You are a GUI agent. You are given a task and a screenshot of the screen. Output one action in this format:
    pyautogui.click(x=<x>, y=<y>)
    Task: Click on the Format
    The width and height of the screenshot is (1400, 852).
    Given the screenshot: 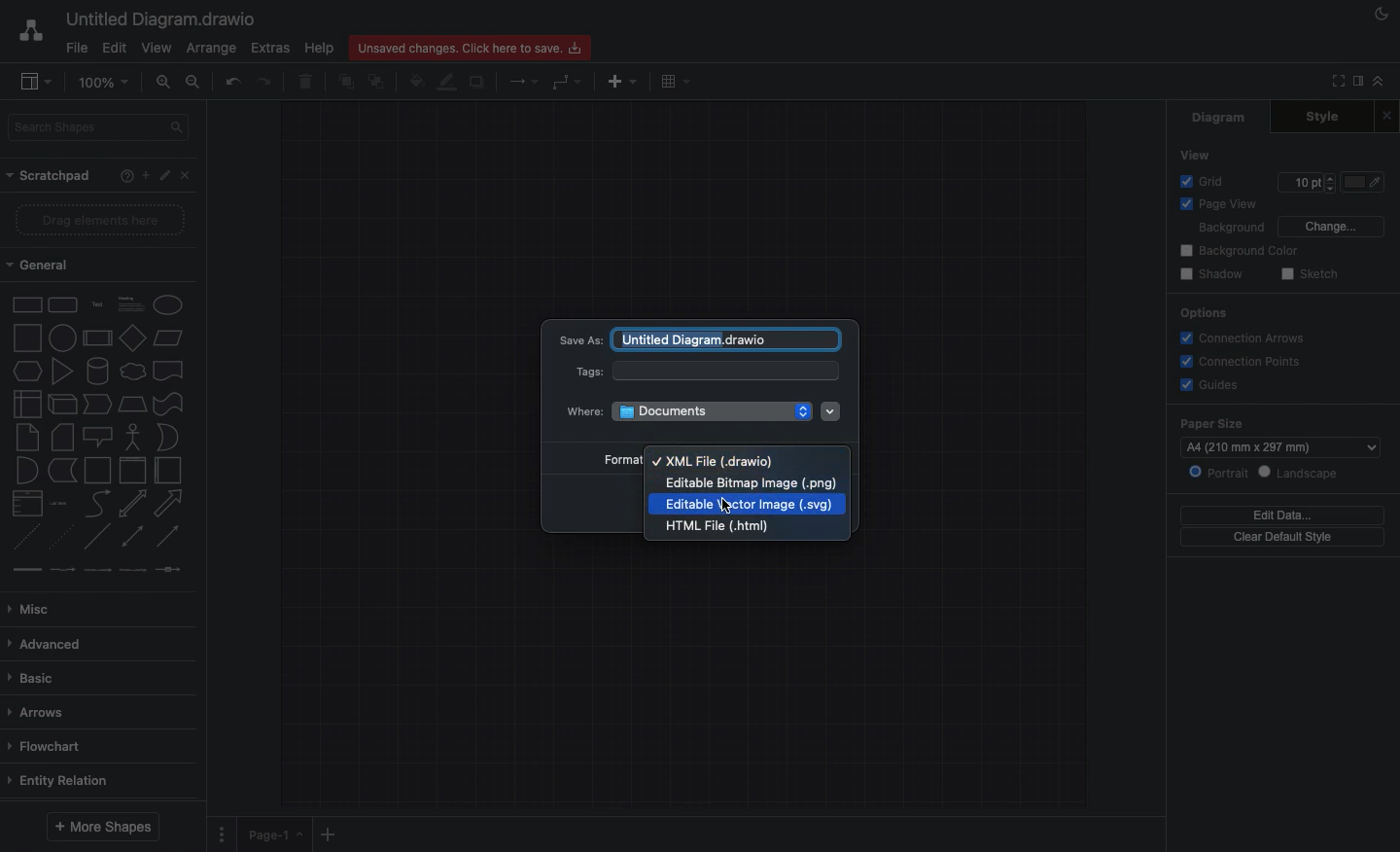 What is the action you would take?
    pyautogui.click(x=620, y=461)
    